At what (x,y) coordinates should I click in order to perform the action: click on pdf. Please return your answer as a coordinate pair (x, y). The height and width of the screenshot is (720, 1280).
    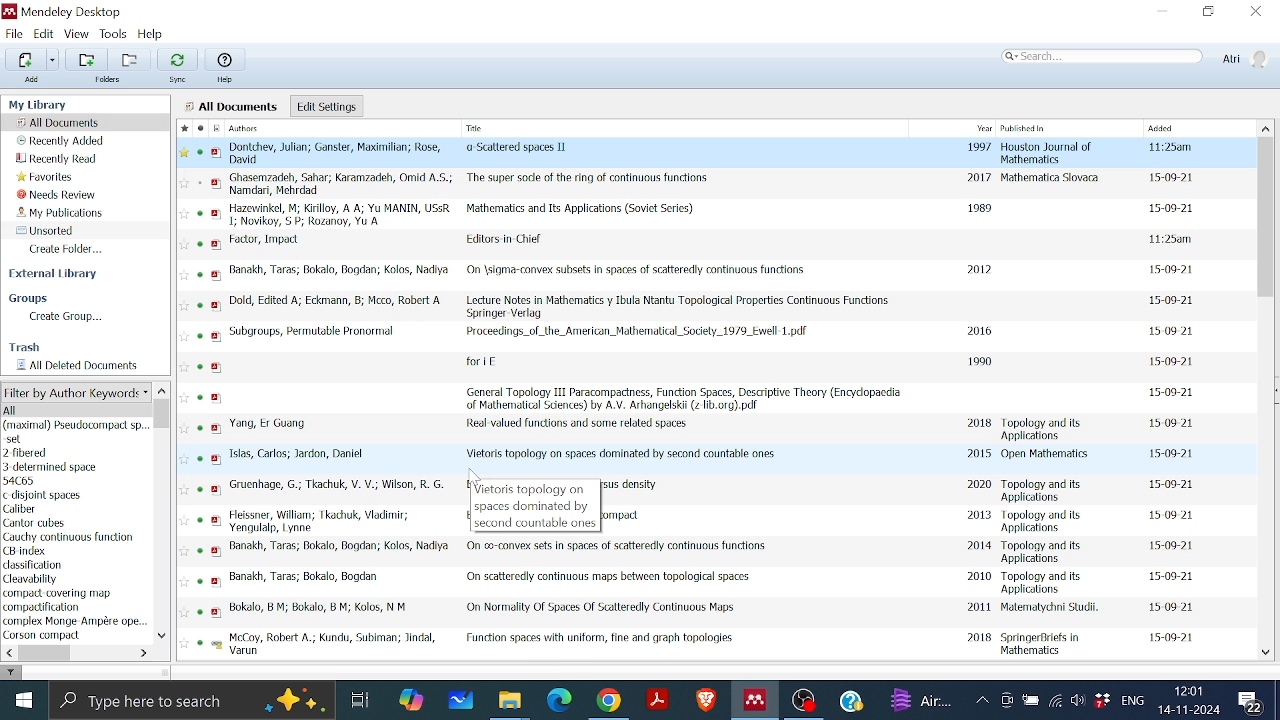
    Looking at the image, I should click on (220, 521).